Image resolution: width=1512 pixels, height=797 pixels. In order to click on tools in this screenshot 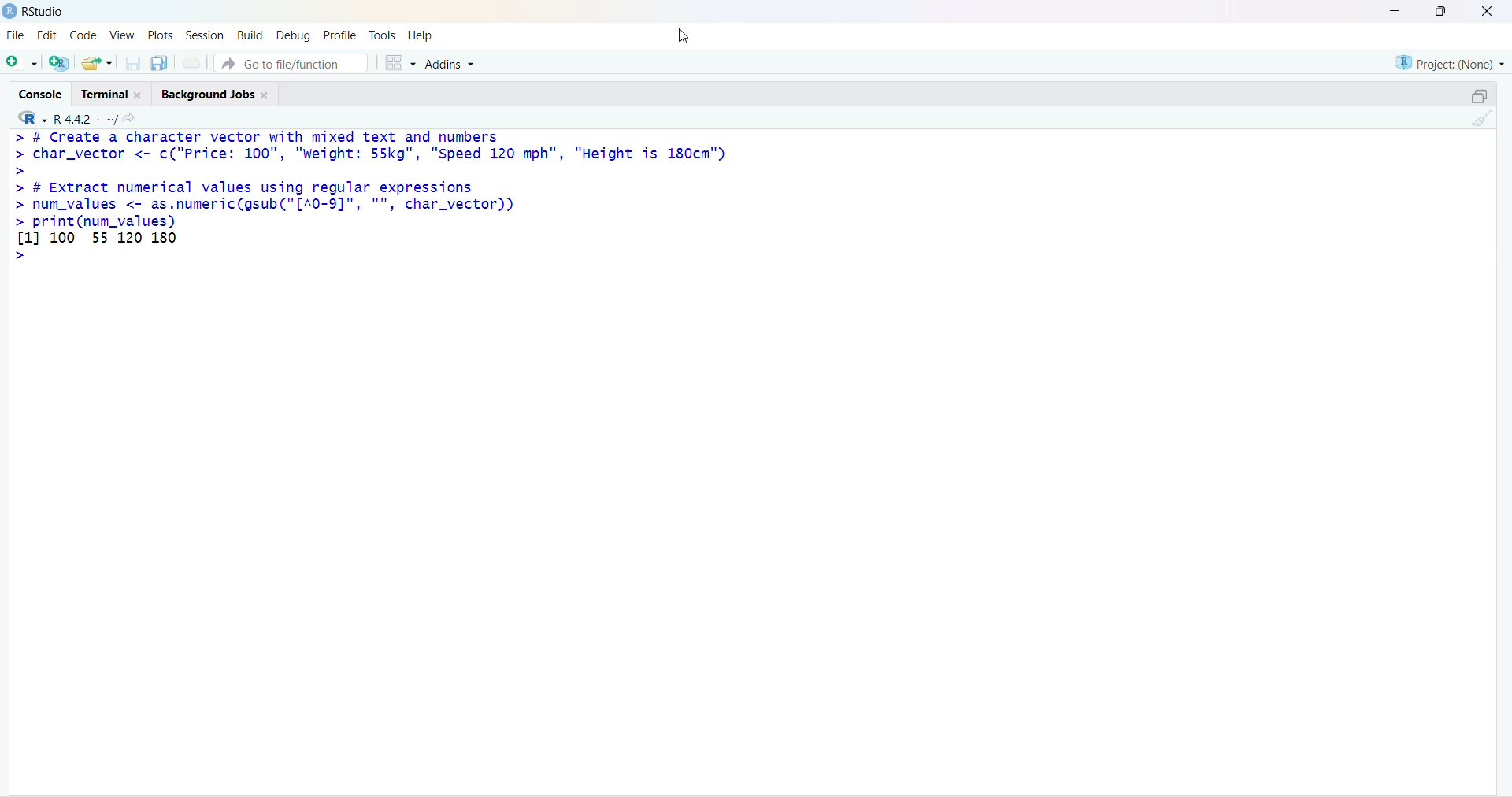, I will do `click(383, 35)`.